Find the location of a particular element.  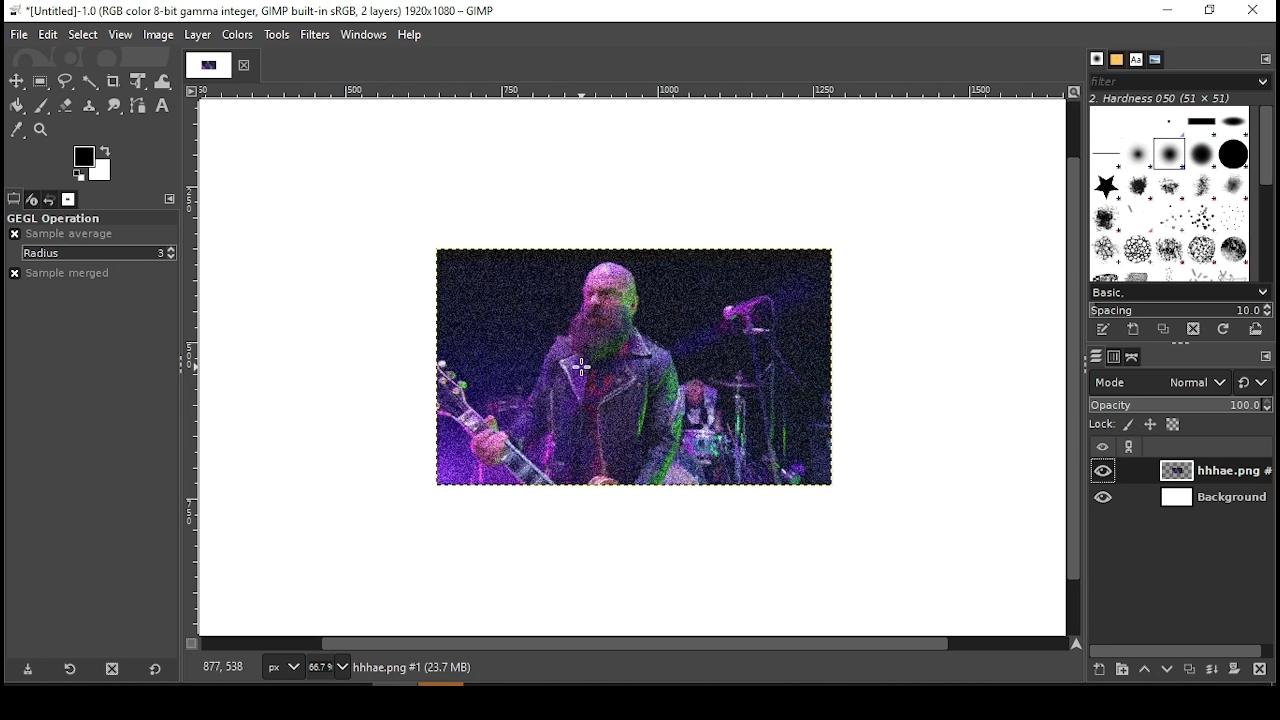

switch to other mode groups is located at coordinates (1254, 381).